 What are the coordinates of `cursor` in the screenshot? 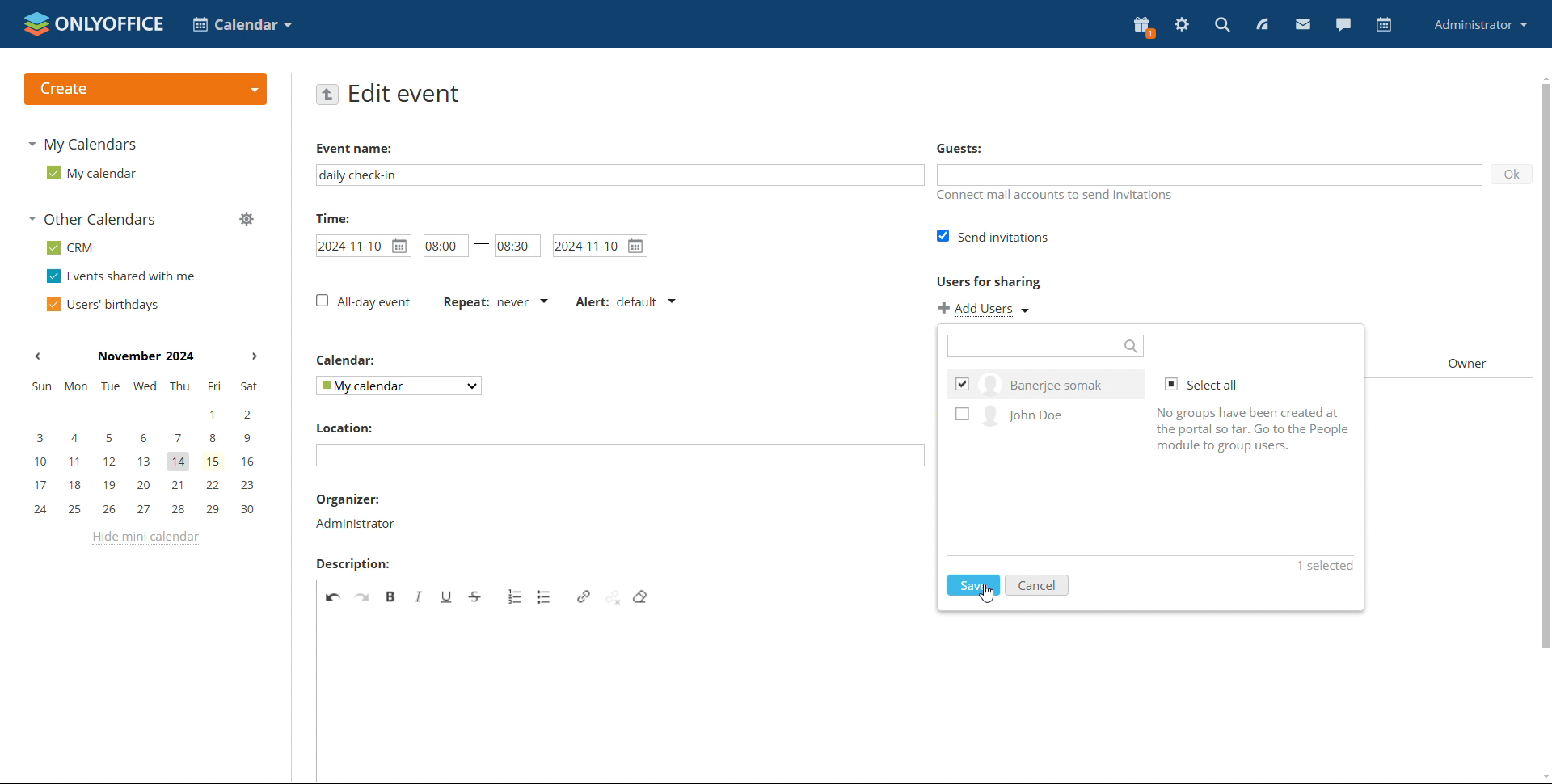 It's located at (989, 593).